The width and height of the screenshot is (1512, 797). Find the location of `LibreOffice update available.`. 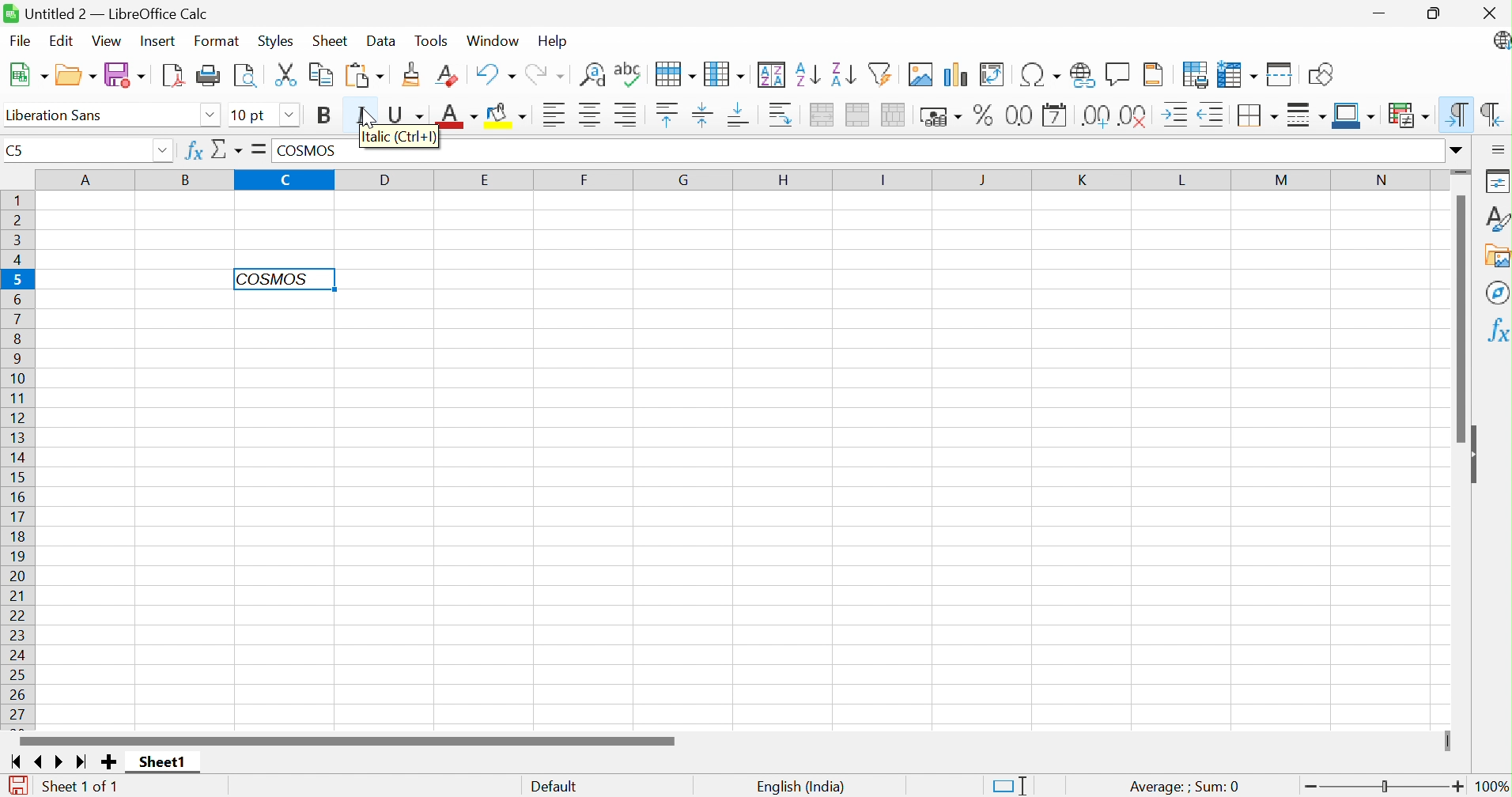

LibreOffice update available. is located at coordinates (1499, 41).